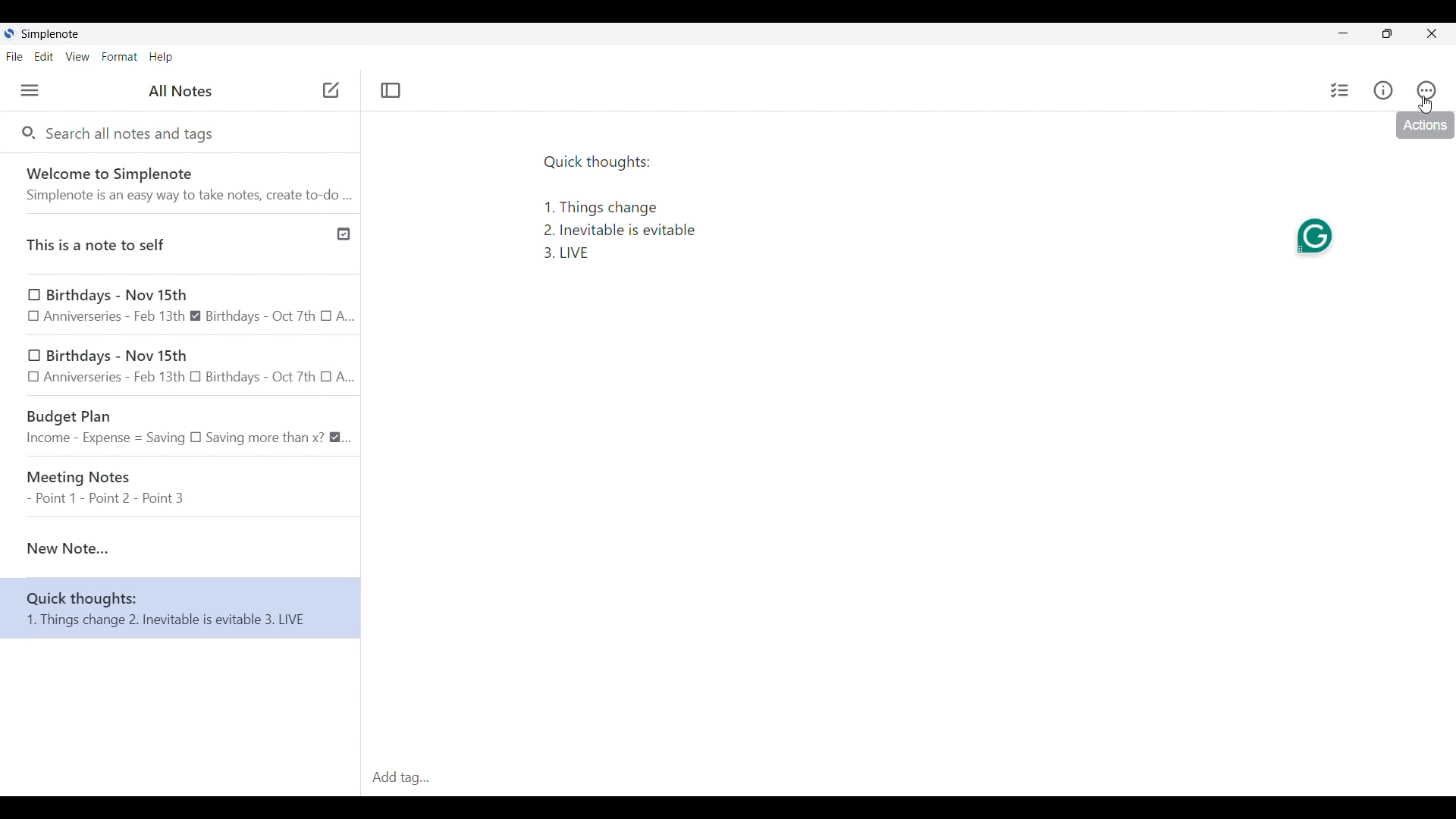  What do you see at coordinates (1383, 90) in the screenshot?
I see `Info` at bounding box center [1383, 90].